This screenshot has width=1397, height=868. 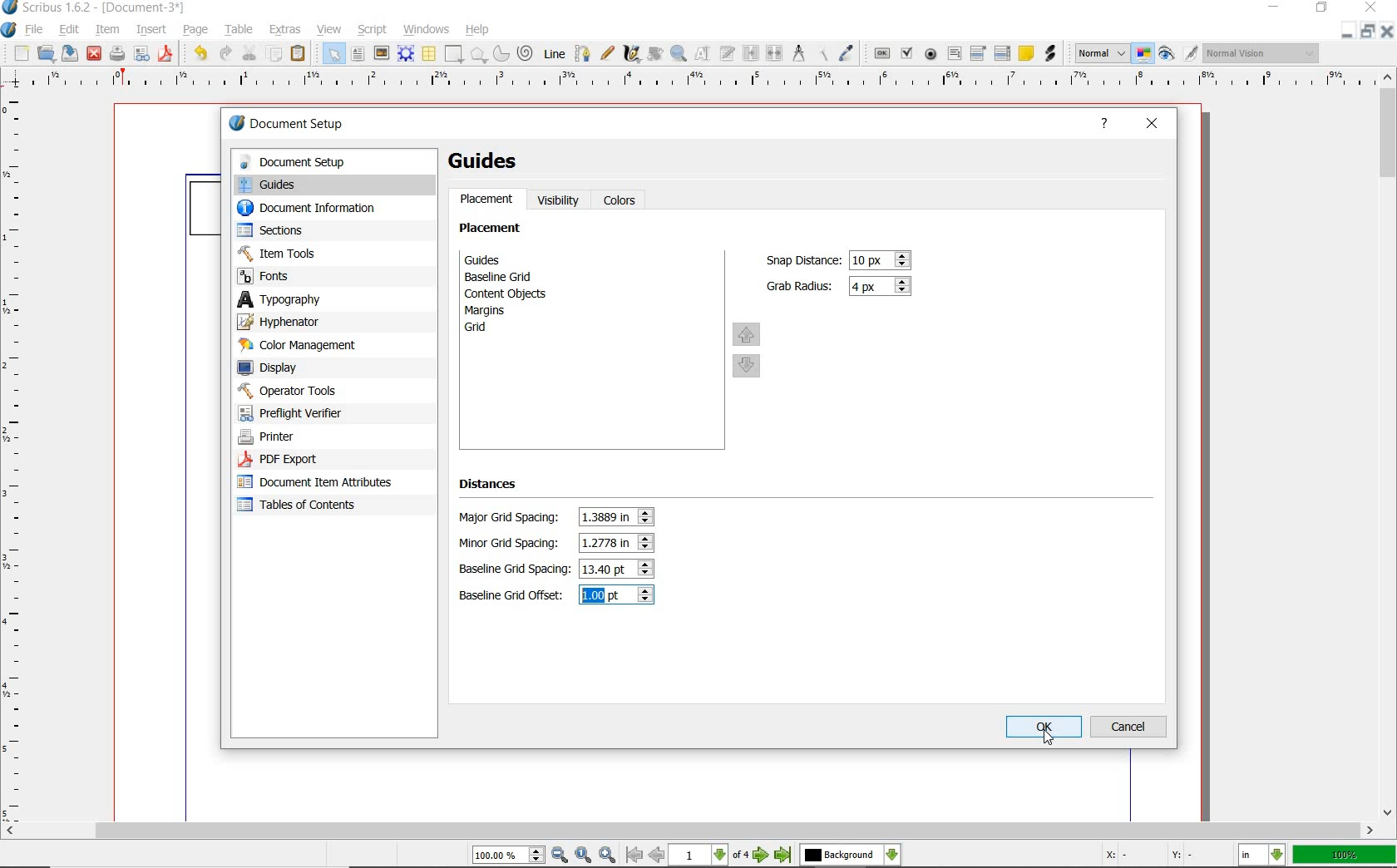 What do you see at coordinates (37, 30) in the screenshot?
I see `file` at bounding box center [37, 30].